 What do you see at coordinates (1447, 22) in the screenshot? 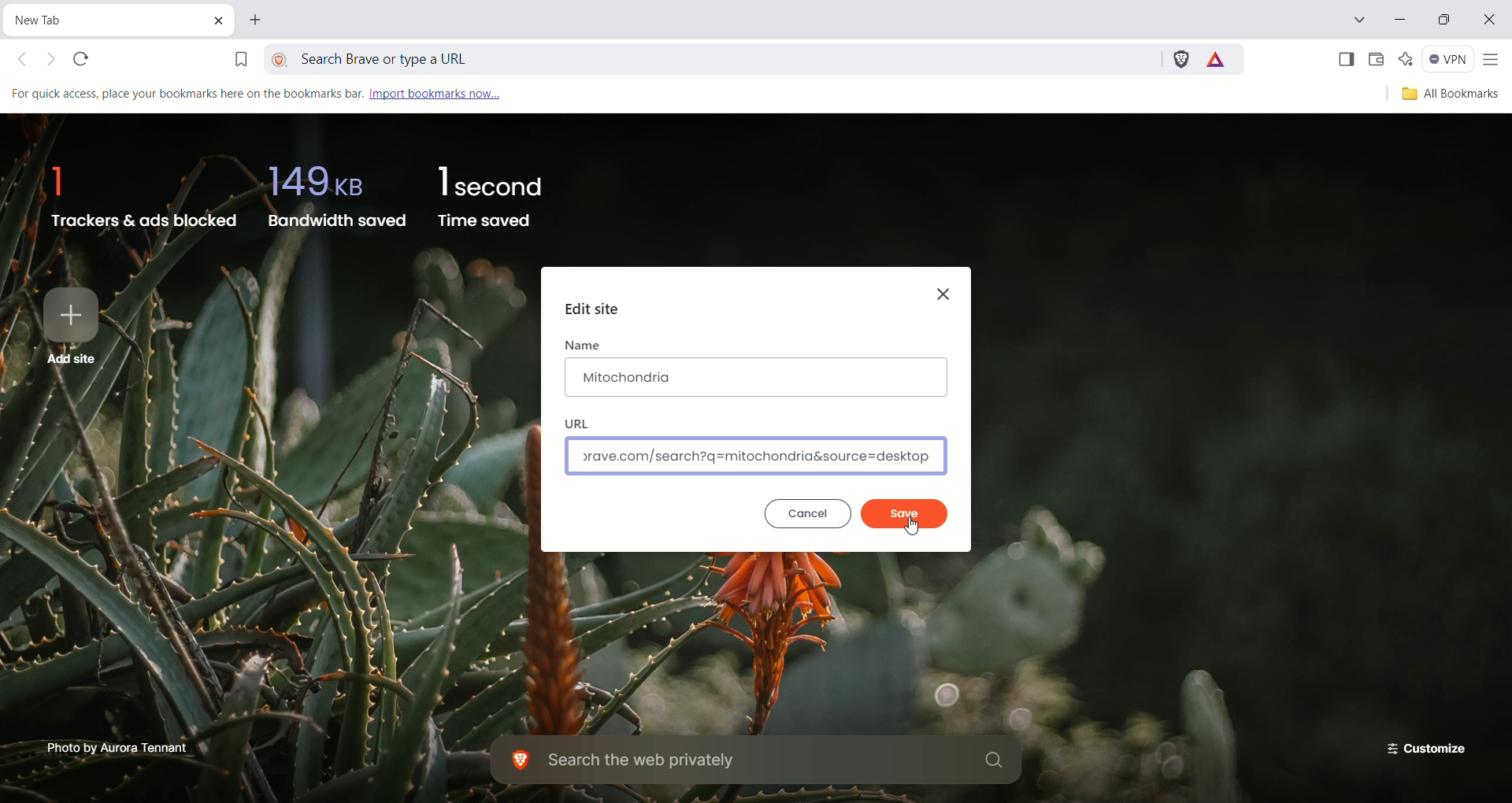
I see `restore down` at bounding box center [1447, 22].